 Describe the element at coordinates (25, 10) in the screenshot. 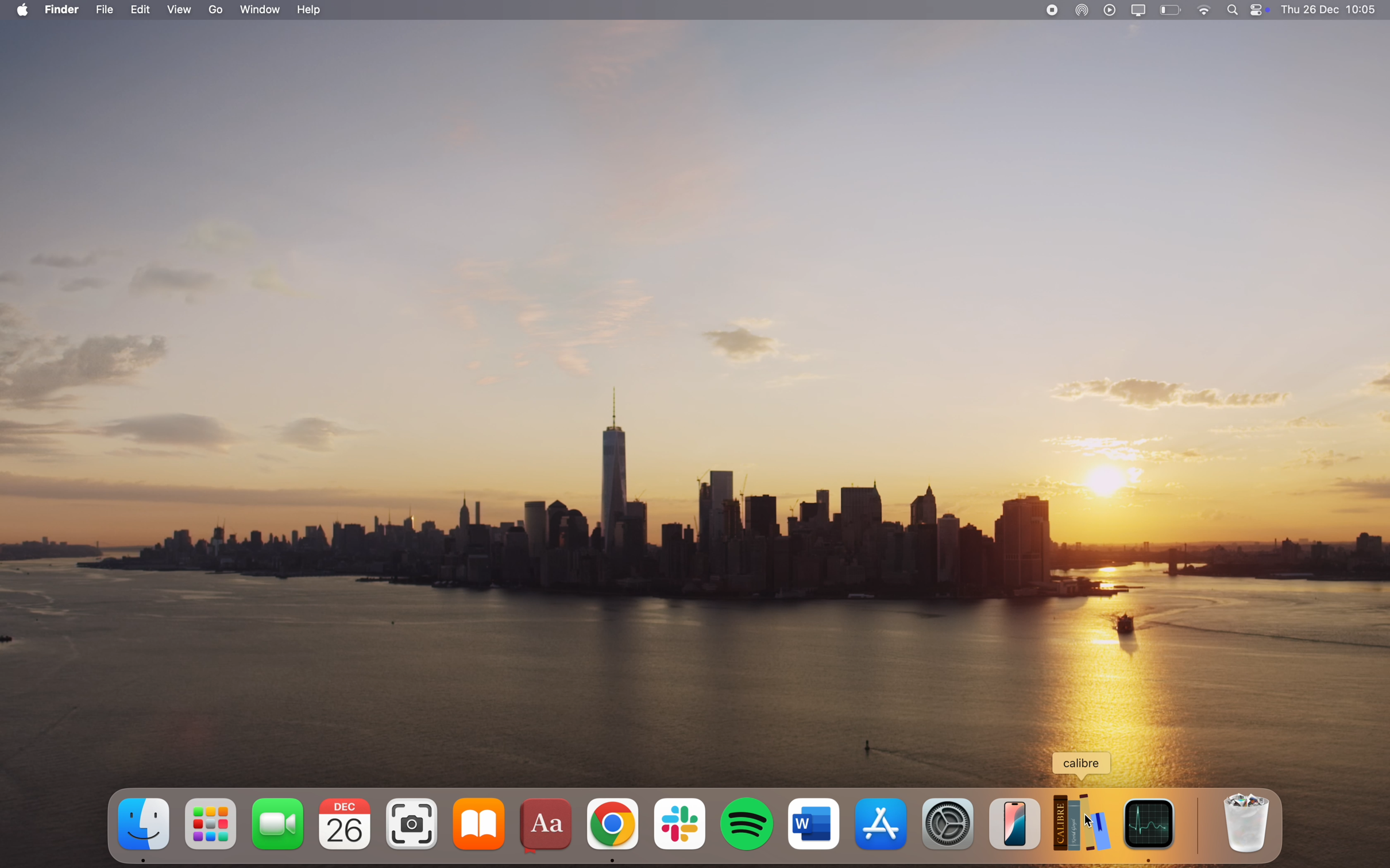

I see `Apple icon` at that location.